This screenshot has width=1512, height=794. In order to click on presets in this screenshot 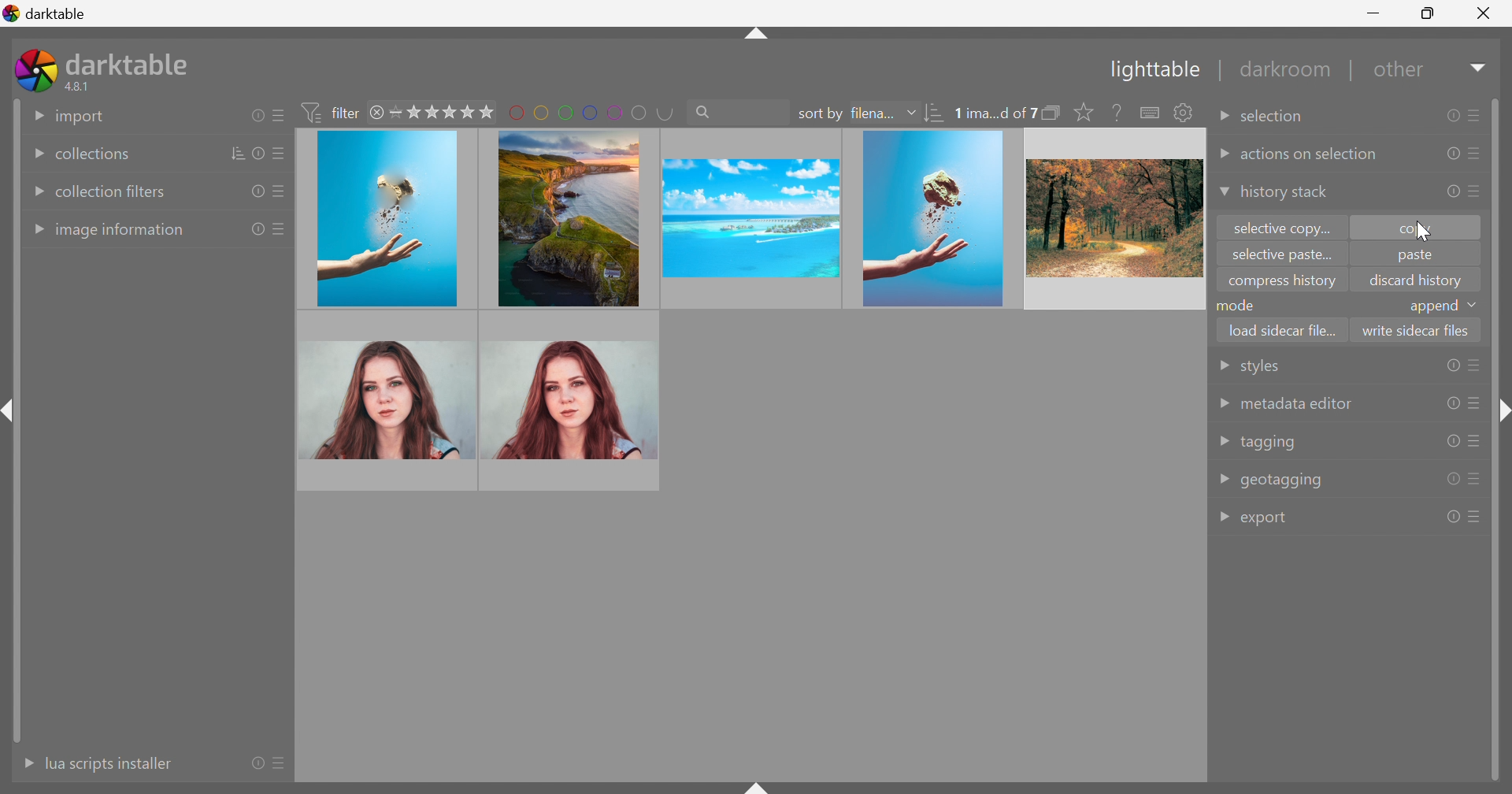, I will do `click(1477, 477)`.